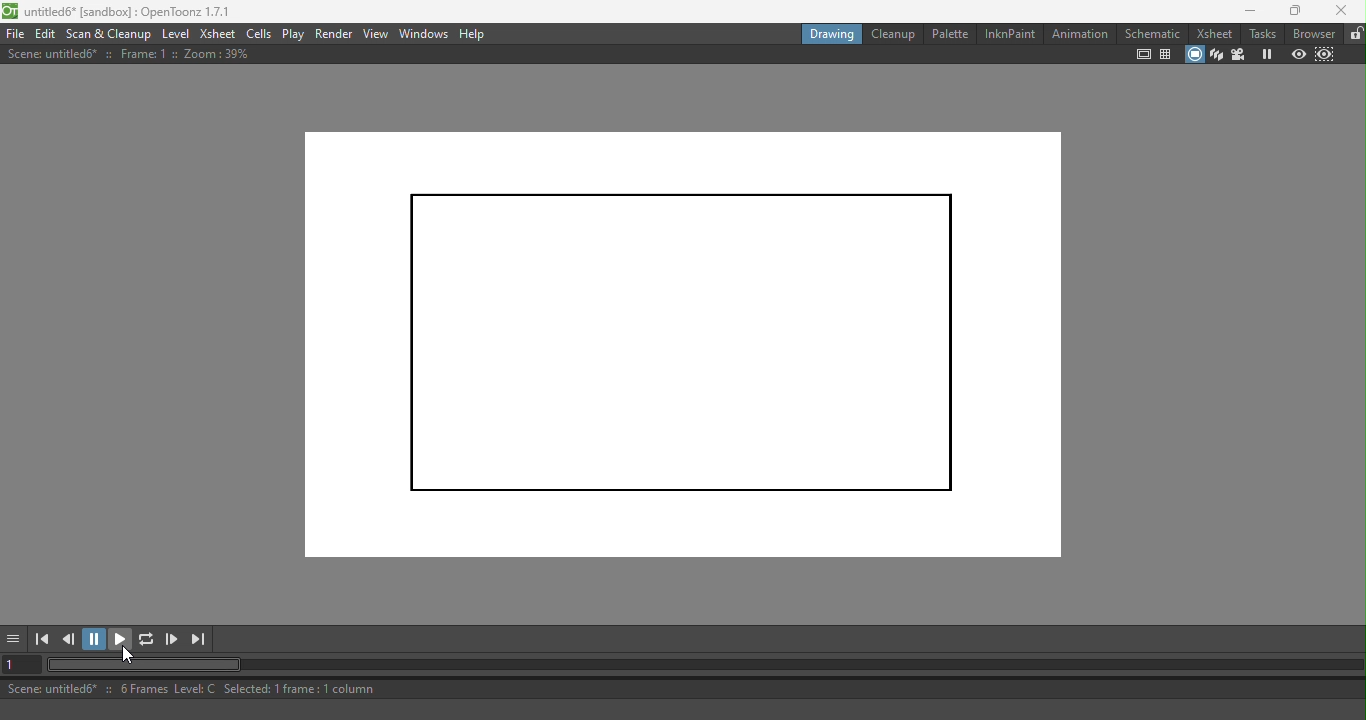  I want to click on More options, so click(15, 638).